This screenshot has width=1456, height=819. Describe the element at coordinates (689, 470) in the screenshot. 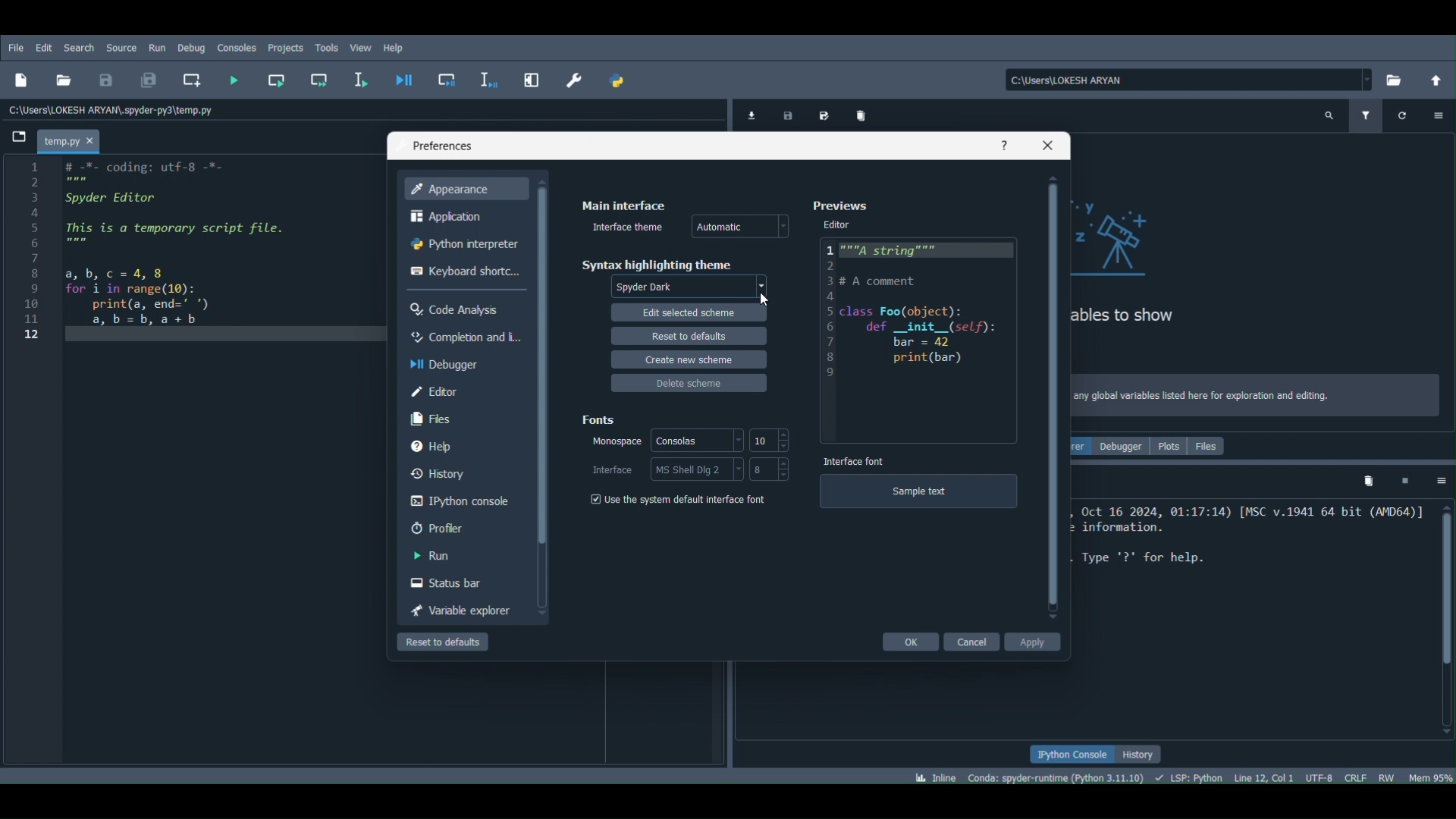

I see `Interface style` at that location.